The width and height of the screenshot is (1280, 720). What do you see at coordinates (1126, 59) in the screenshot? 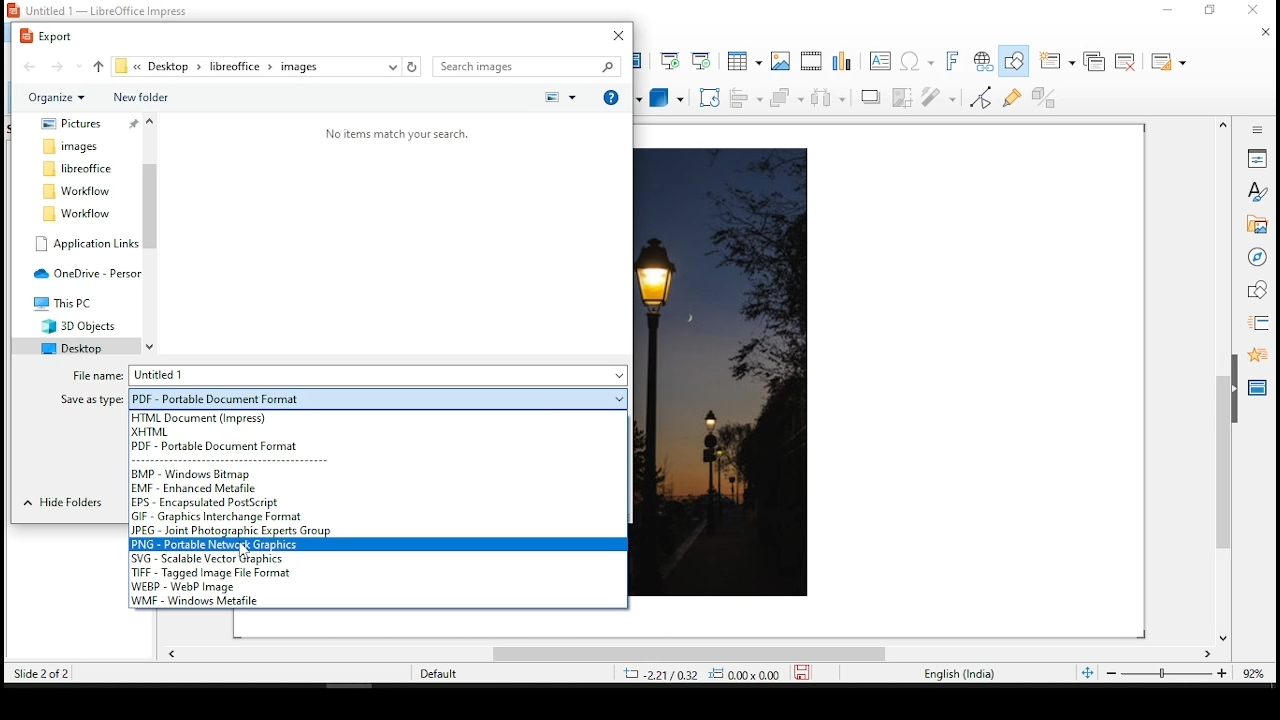
I see `delete slide` at bounding box center [1126, 59].